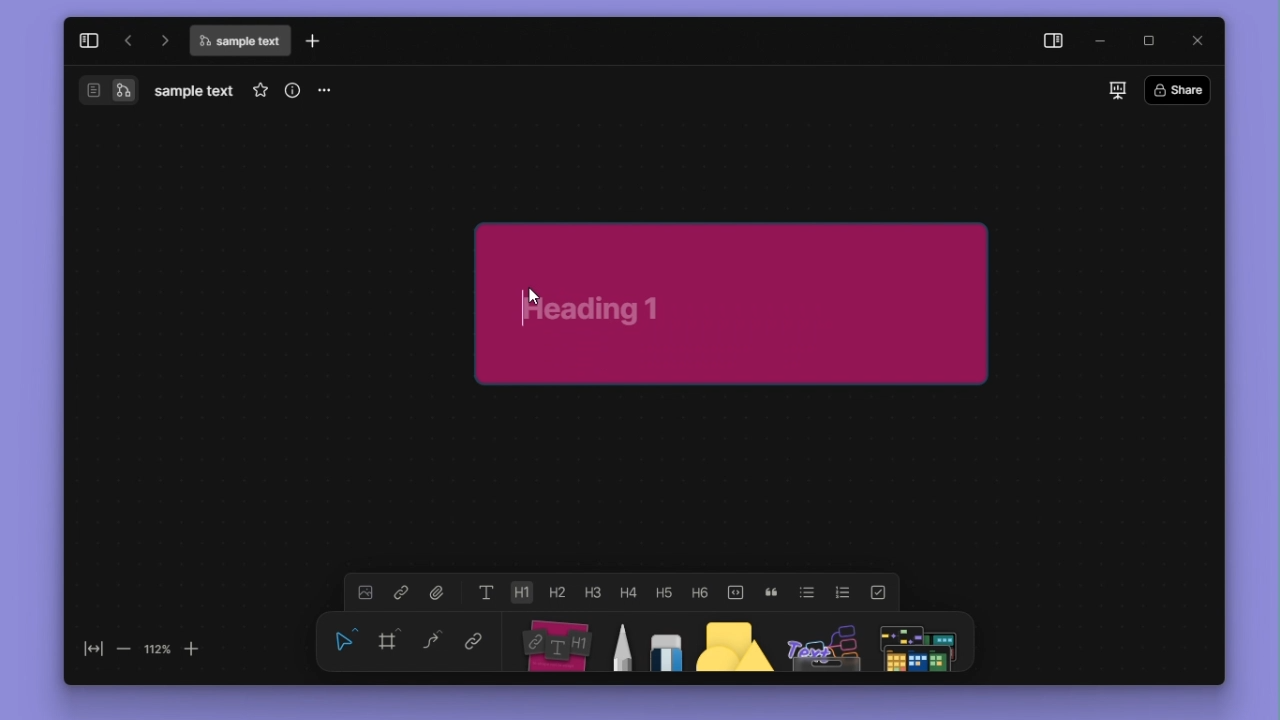 The image size is (1280, 720). Describe the element at coordinates (128, 40) in the screenshot. I see `go back` at that location.